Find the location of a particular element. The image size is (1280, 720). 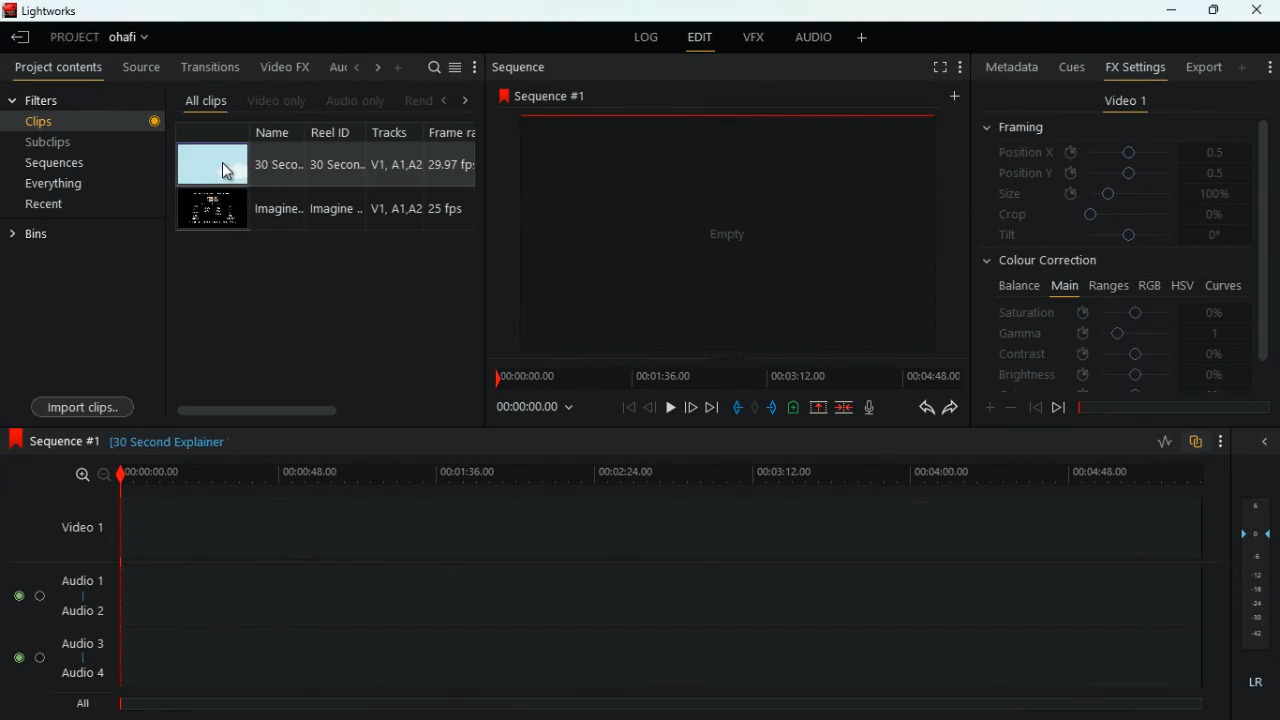

Audio is located at coordinates (25, 595).